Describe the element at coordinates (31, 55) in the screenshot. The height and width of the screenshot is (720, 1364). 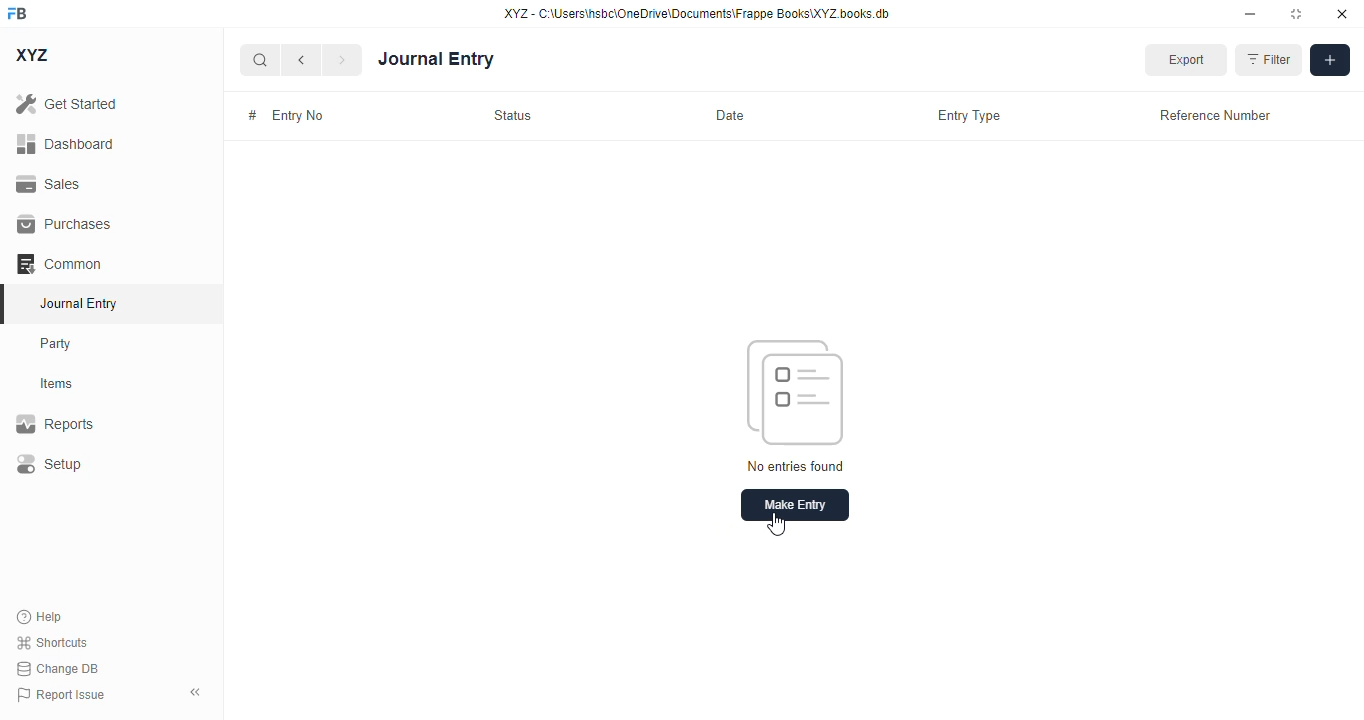
I see `XYZ` at that location.